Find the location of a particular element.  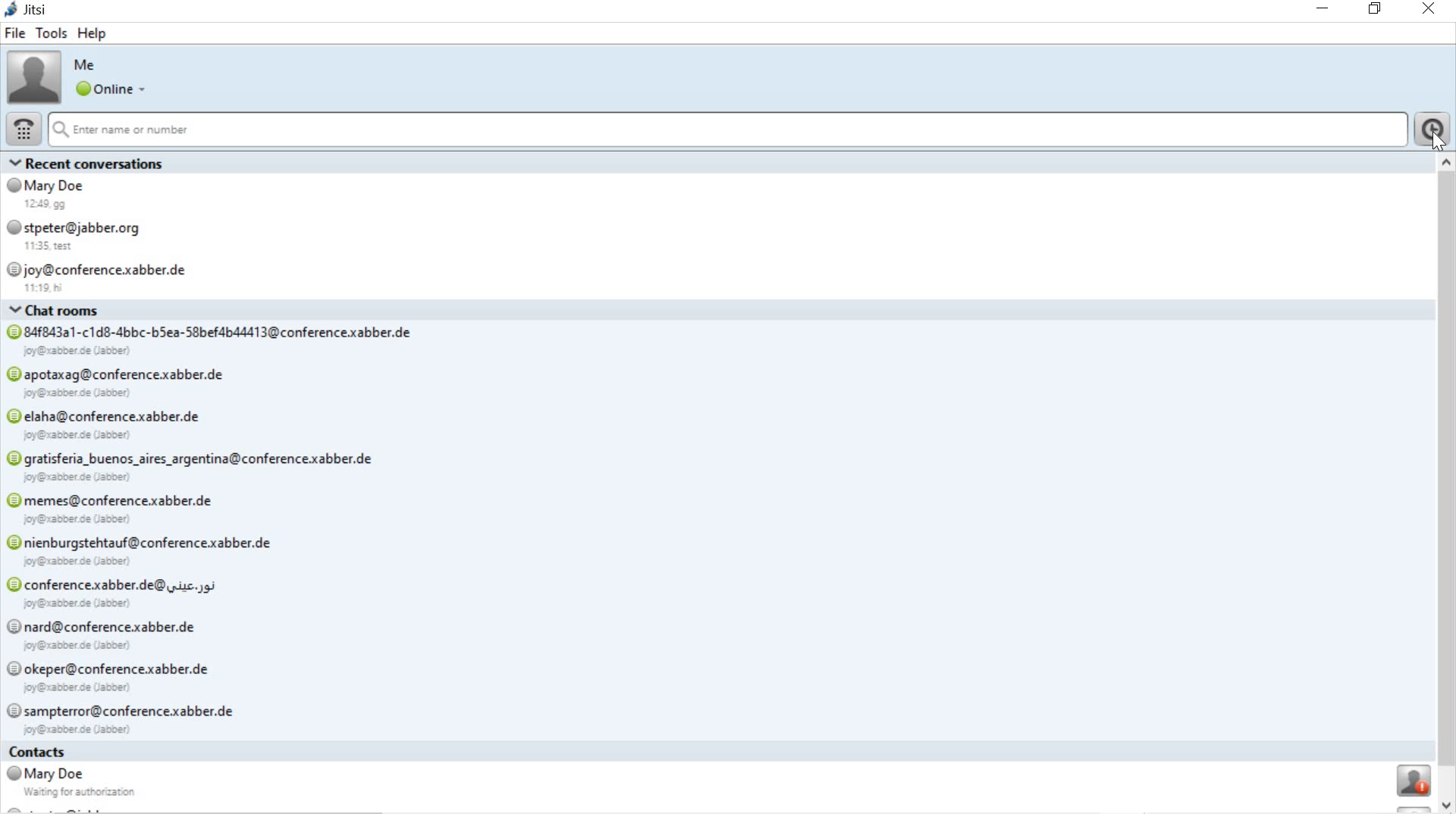

restore down is located at coordinates (1378, 9).